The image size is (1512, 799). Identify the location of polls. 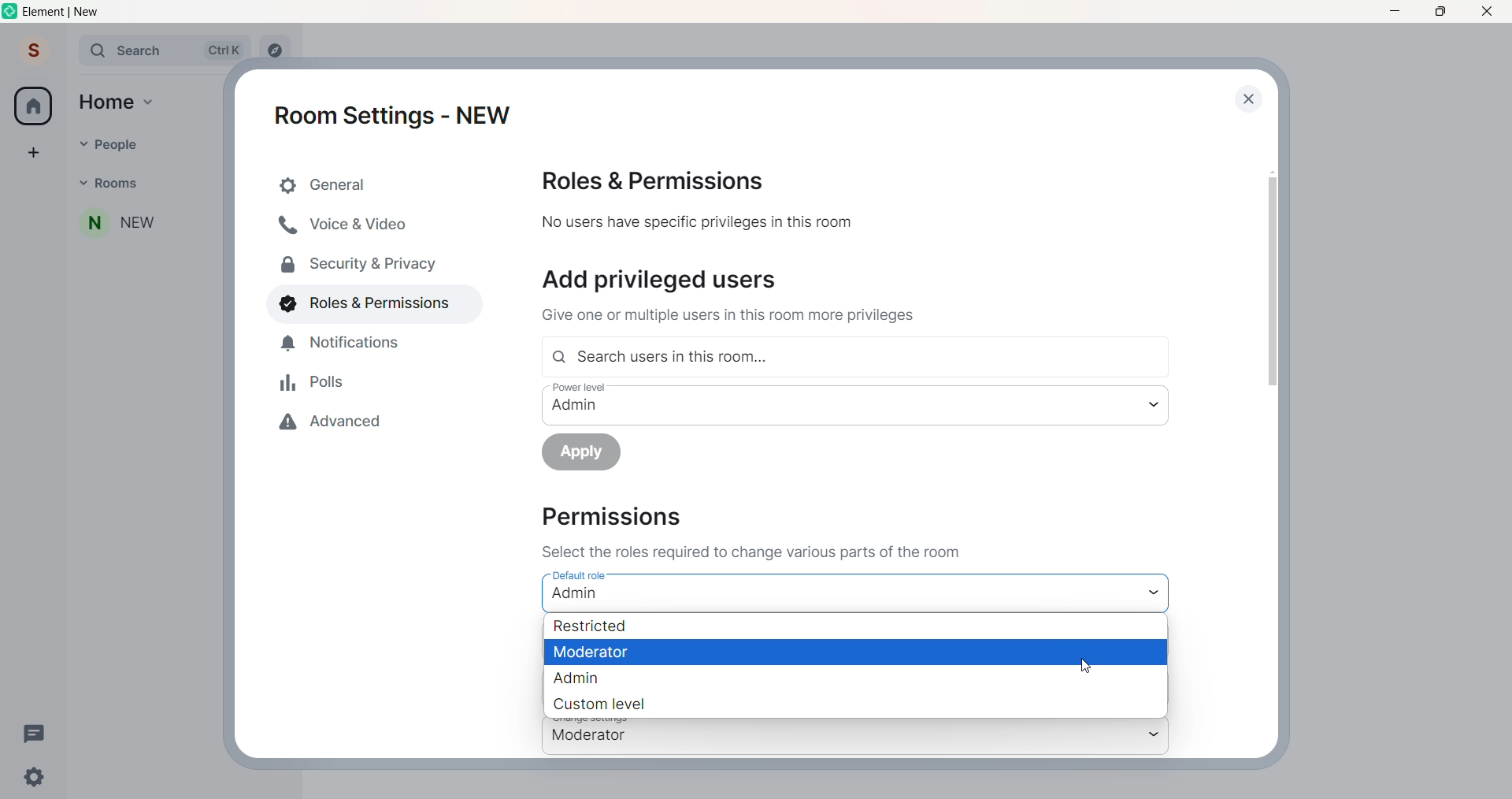
(313, 382).